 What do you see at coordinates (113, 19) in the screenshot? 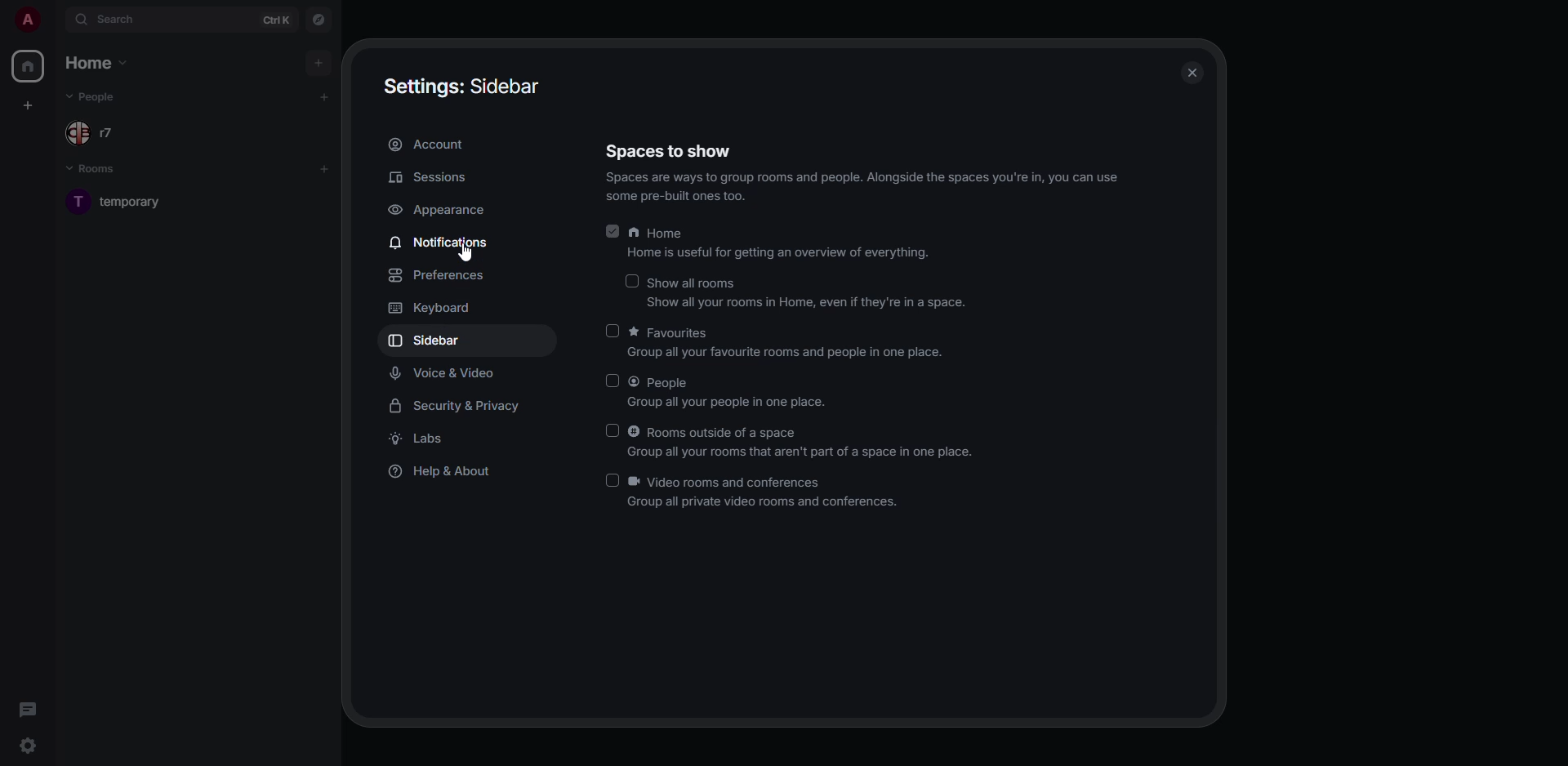
I see `search` at bounding box center [113, 19].